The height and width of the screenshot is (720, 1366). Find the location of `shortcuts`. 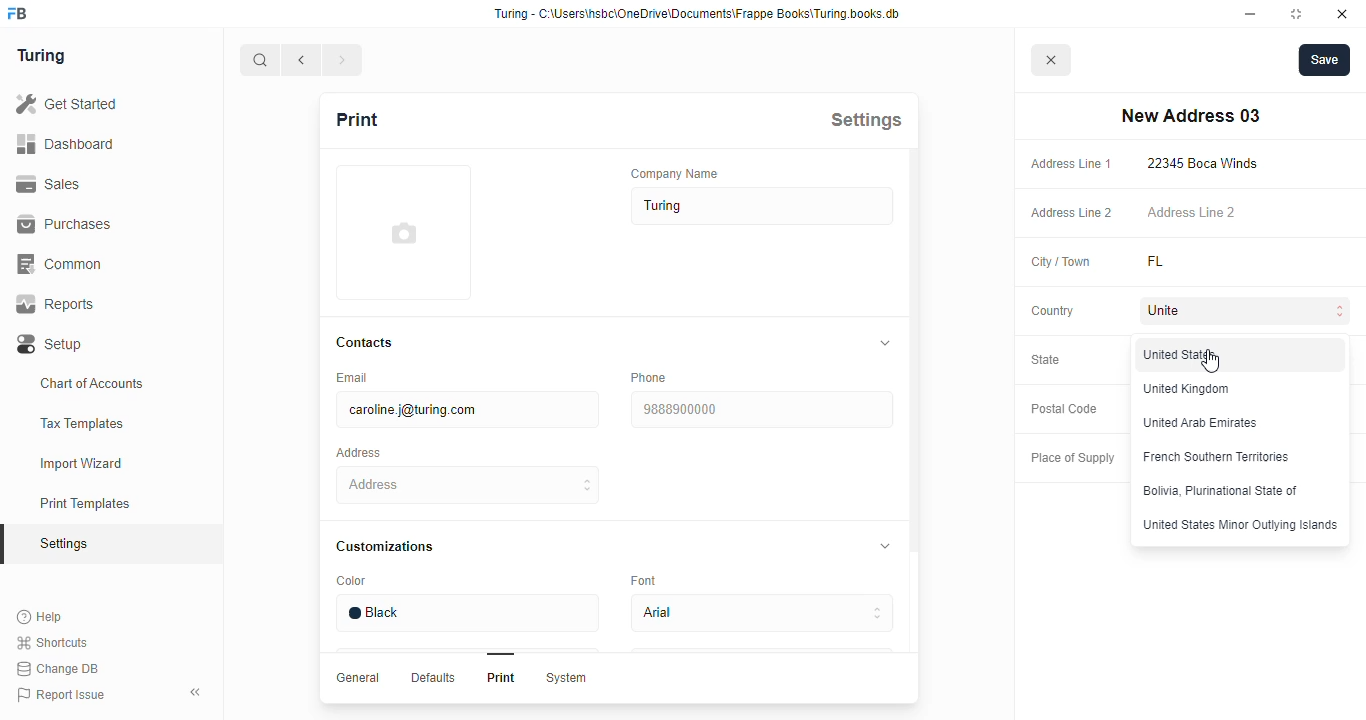

shortcuts is located at coordinates (52, 643).